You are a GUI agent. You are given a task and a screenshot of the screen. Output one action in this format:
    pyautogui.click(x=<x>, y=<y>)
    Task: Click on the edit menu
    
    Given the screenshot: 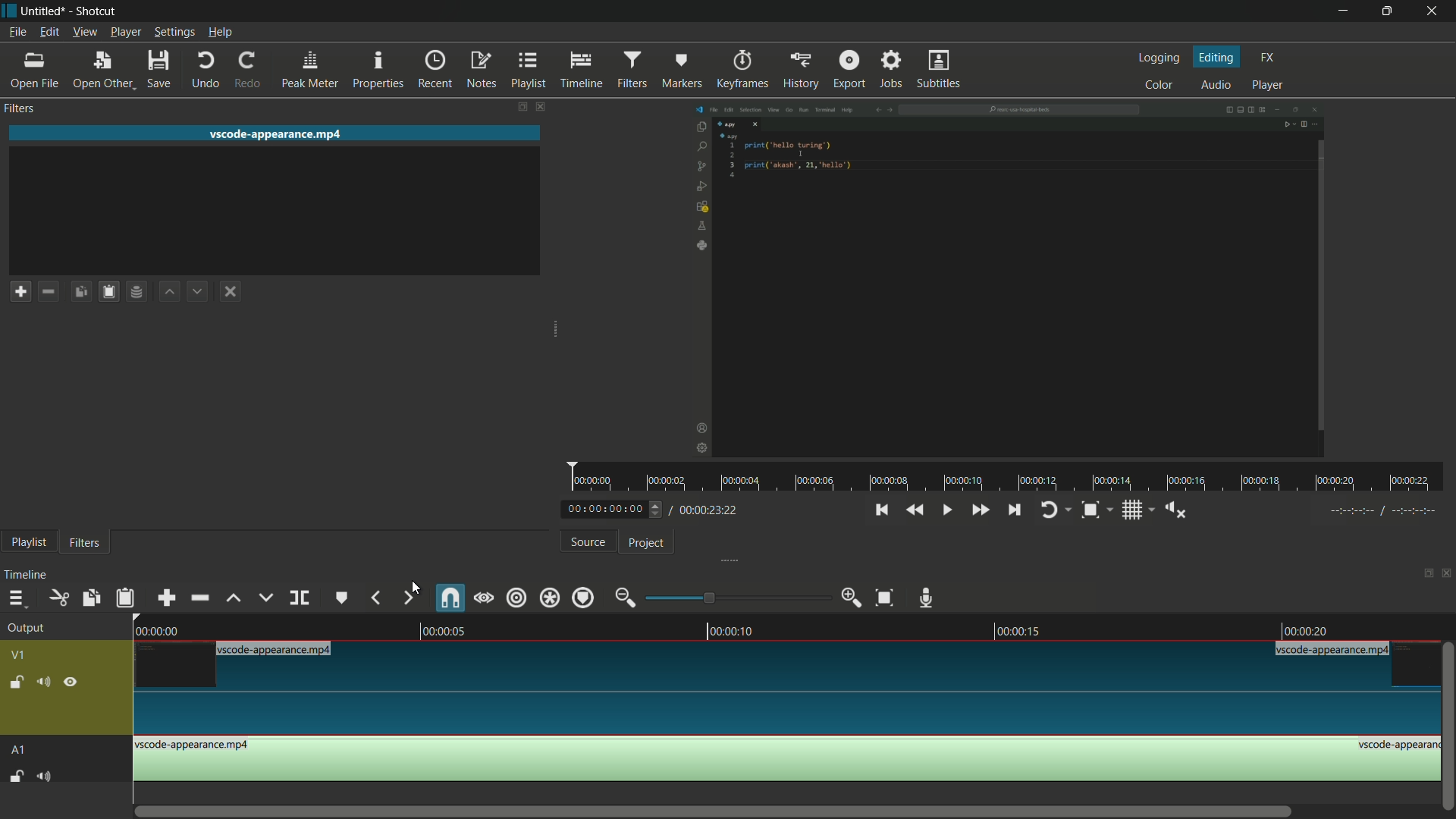 What is the action you would take?
    pyautogui.click(x=48, y=32)
    